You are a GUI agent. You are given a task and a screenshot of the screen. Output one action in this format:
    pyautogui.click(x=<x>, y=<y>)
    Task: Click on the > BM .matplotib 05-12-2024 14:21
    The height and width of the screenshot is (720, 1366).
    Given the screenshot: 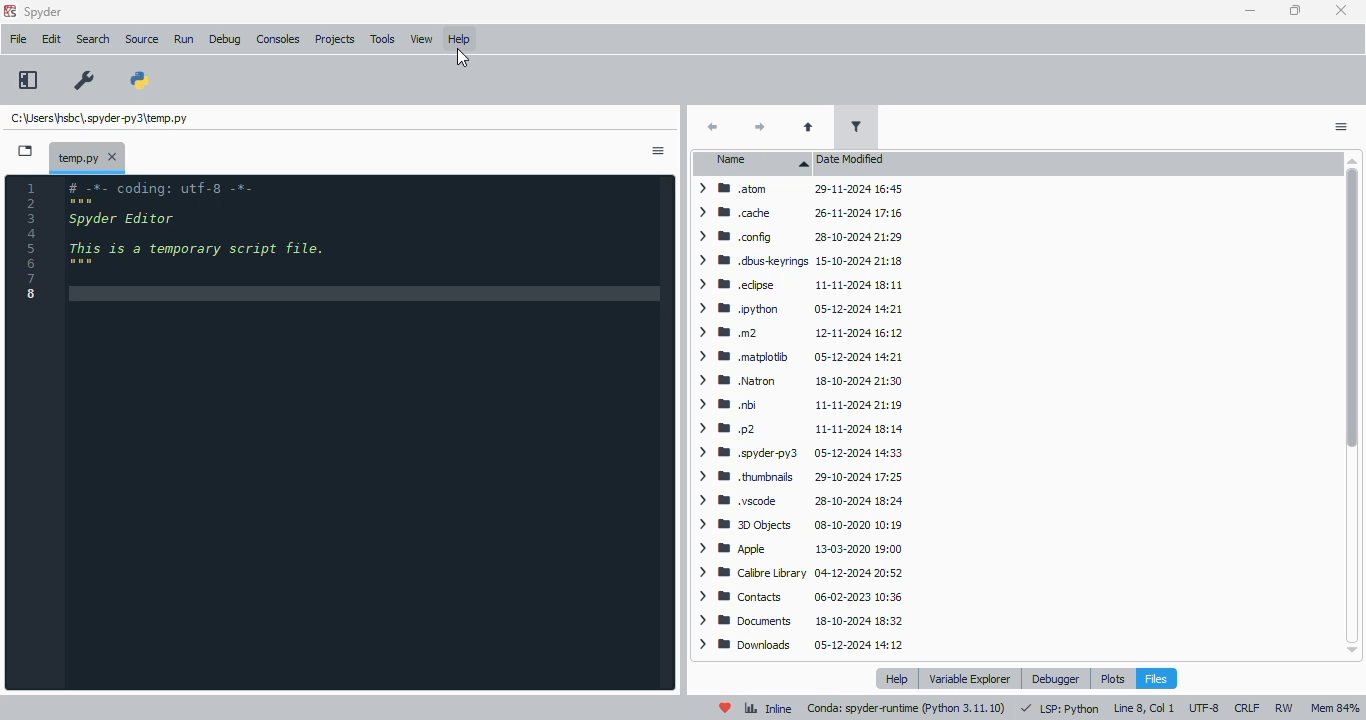 What is the action you would take?
    pyautogui.click(x=797, y=355)
    